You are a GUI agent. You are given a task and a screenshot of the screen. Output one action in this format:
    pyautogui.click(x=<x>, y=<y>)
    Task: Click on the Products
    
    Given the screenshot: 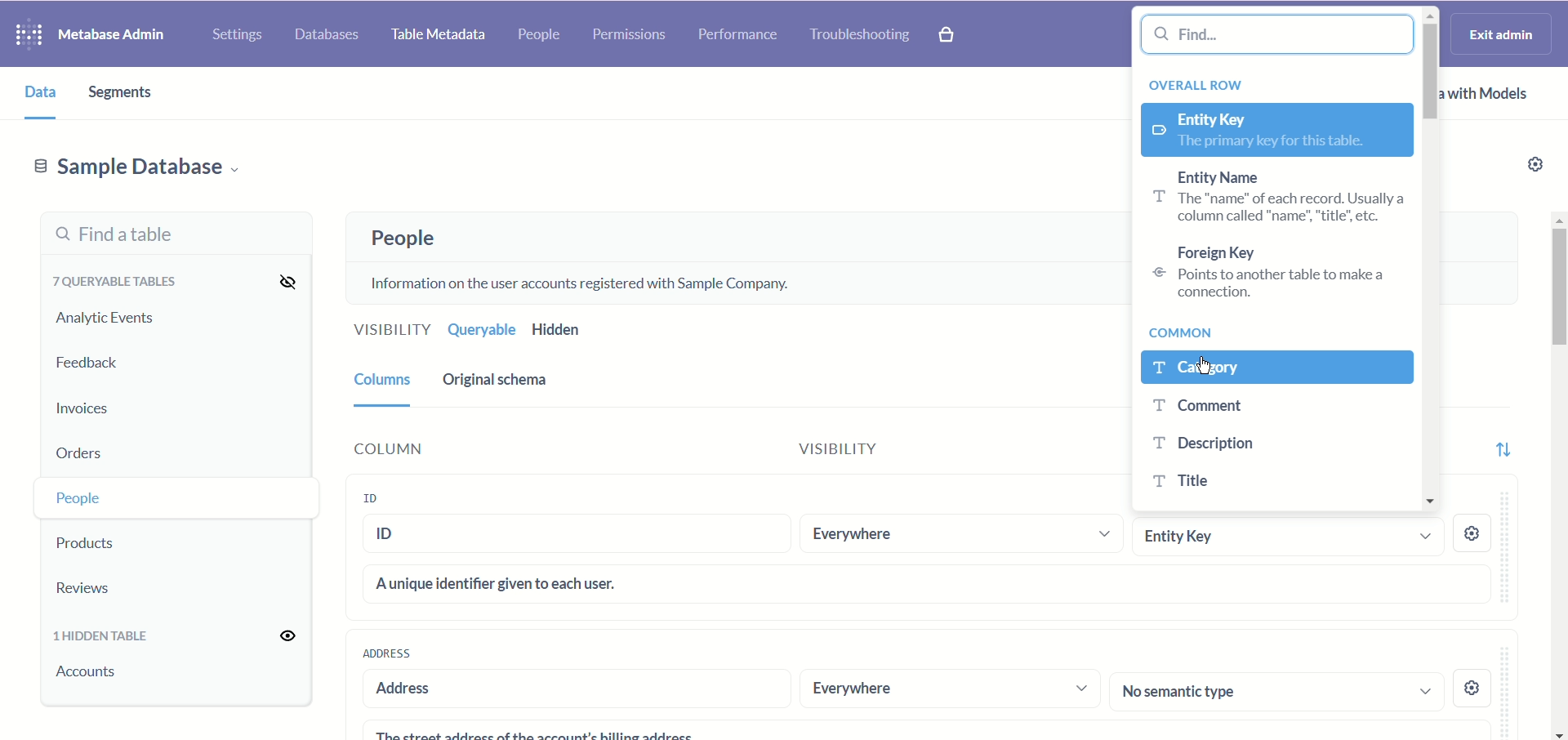 What is the action you would take?
    pyautogui.click(x=117, y=540)
    